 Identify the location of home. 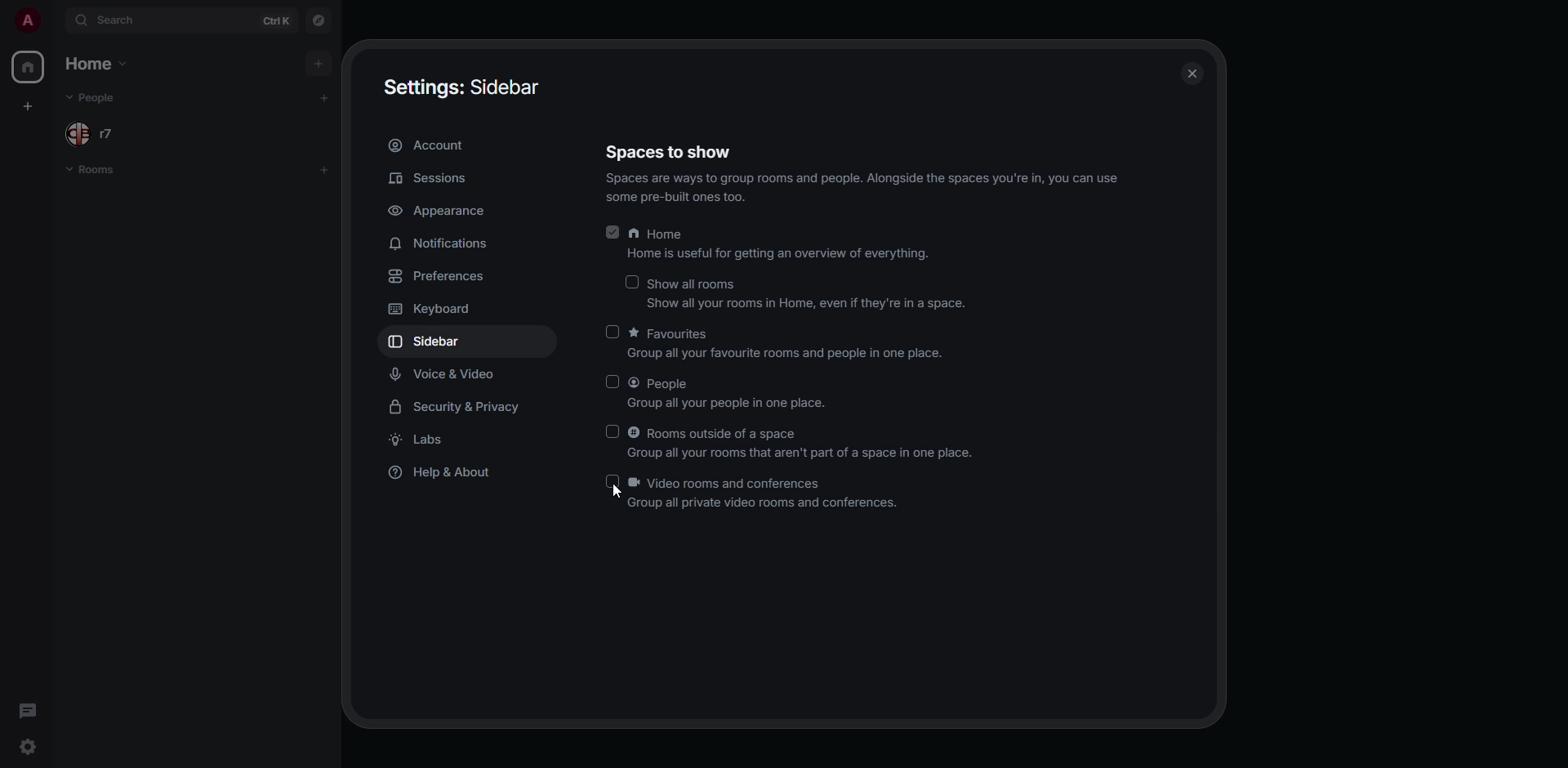
(29, 66).